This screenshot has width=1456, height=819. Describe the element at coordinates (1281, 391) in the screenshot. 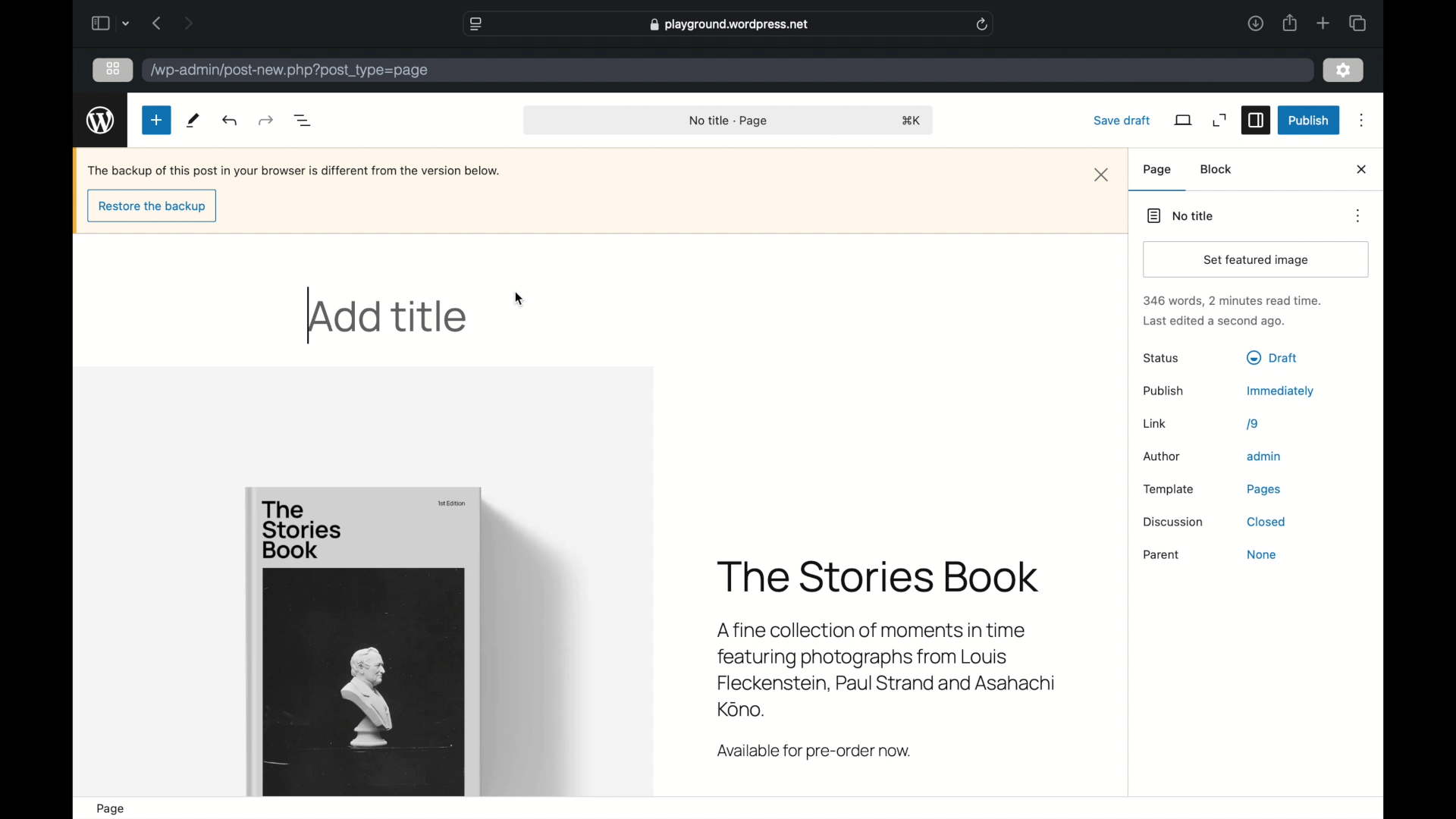

I see `immediately` at that location.